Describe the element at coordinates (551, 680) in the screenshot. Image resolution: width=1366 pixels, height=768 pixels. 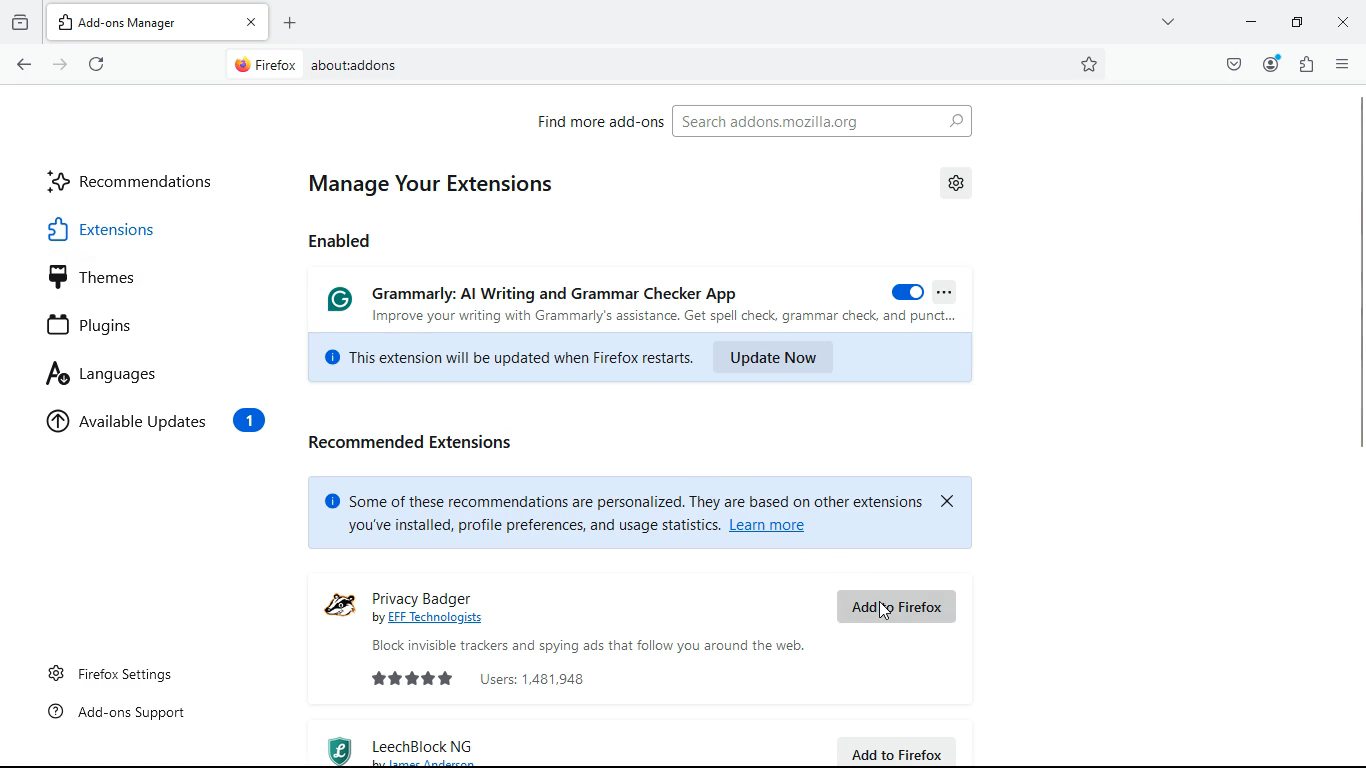
I see `users` at that location.